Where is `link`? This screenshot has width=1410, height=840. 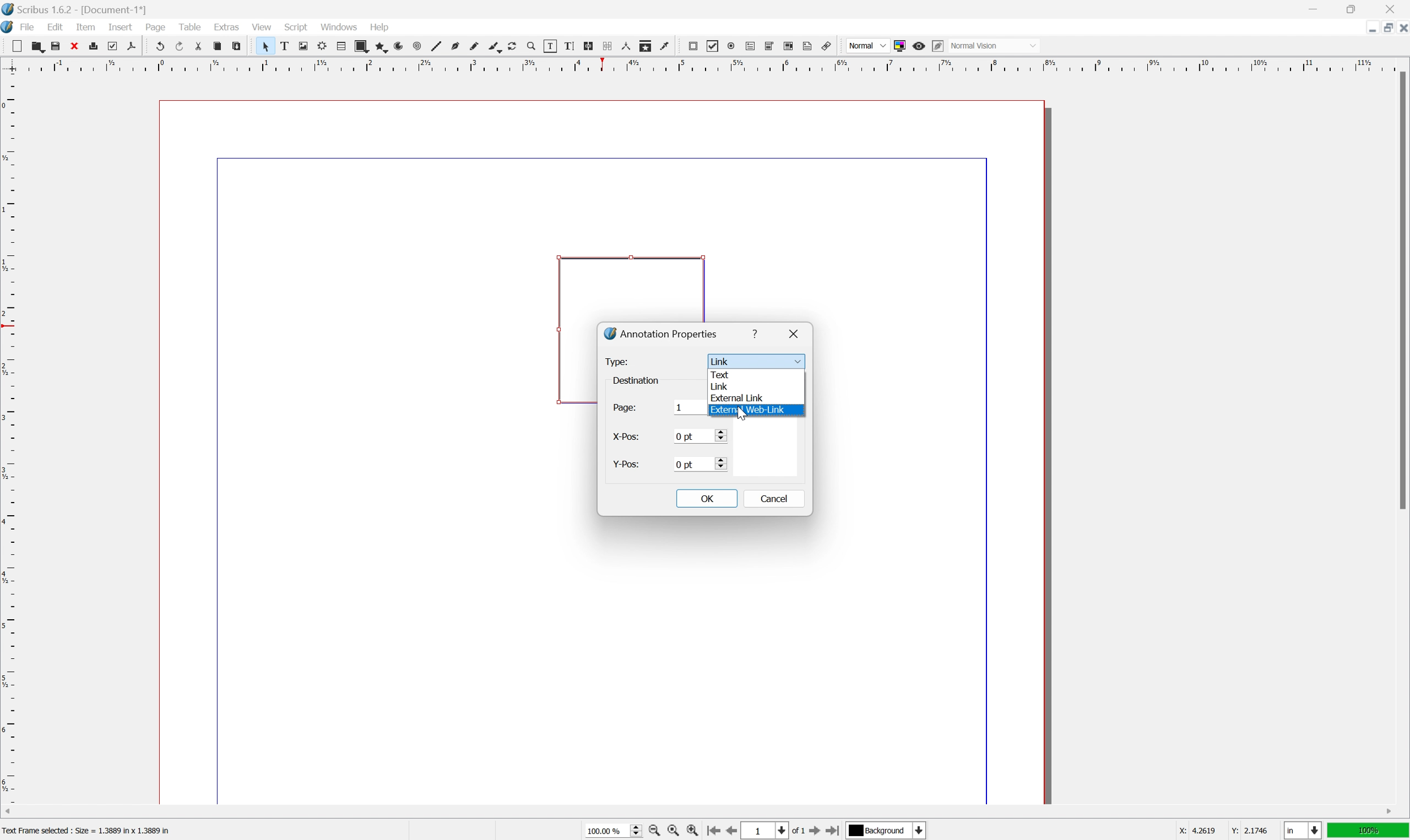 link is located at coordinates (720, 387).